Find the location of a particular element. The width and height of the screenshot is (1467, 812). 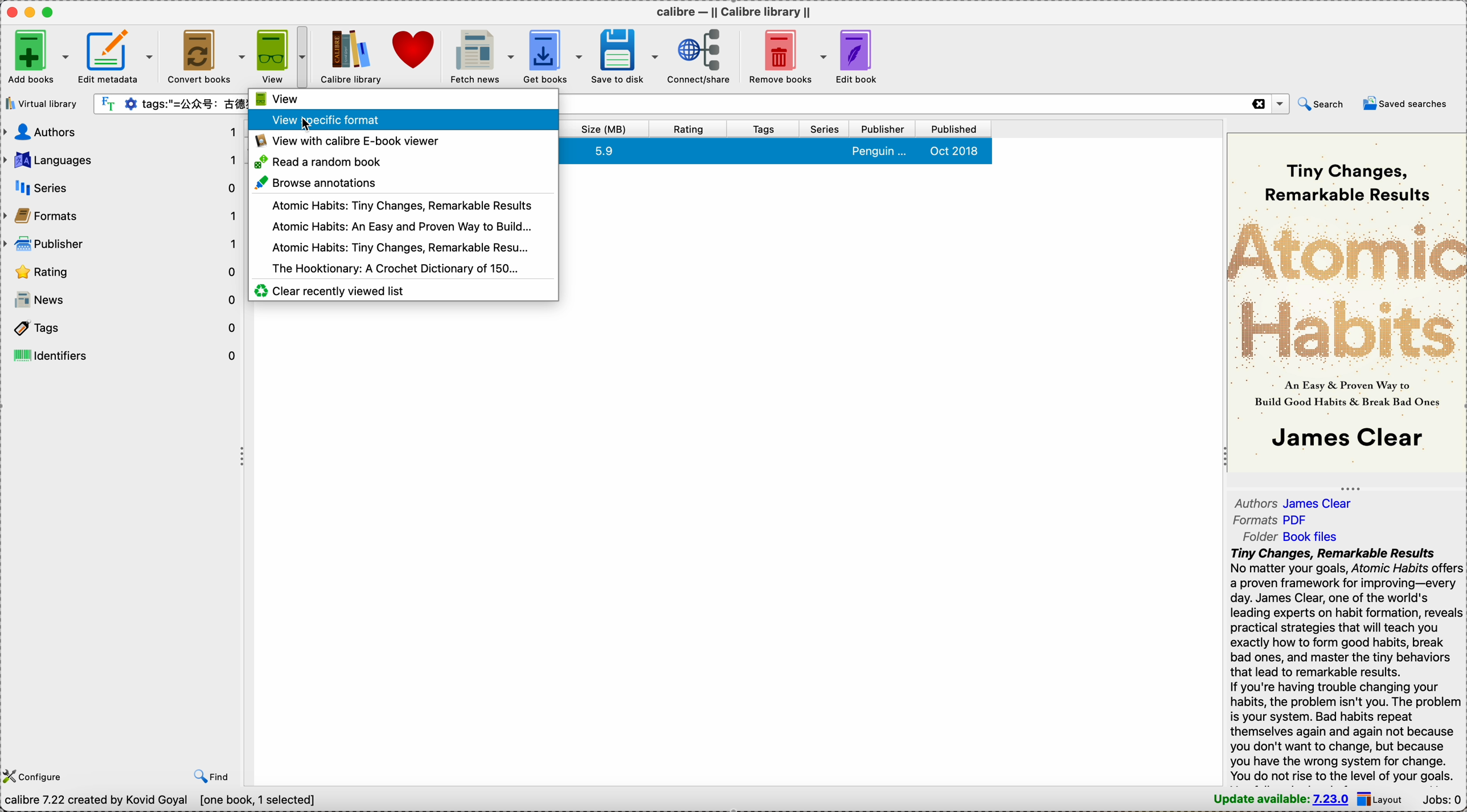

formats is located at coordinates (121, 215).